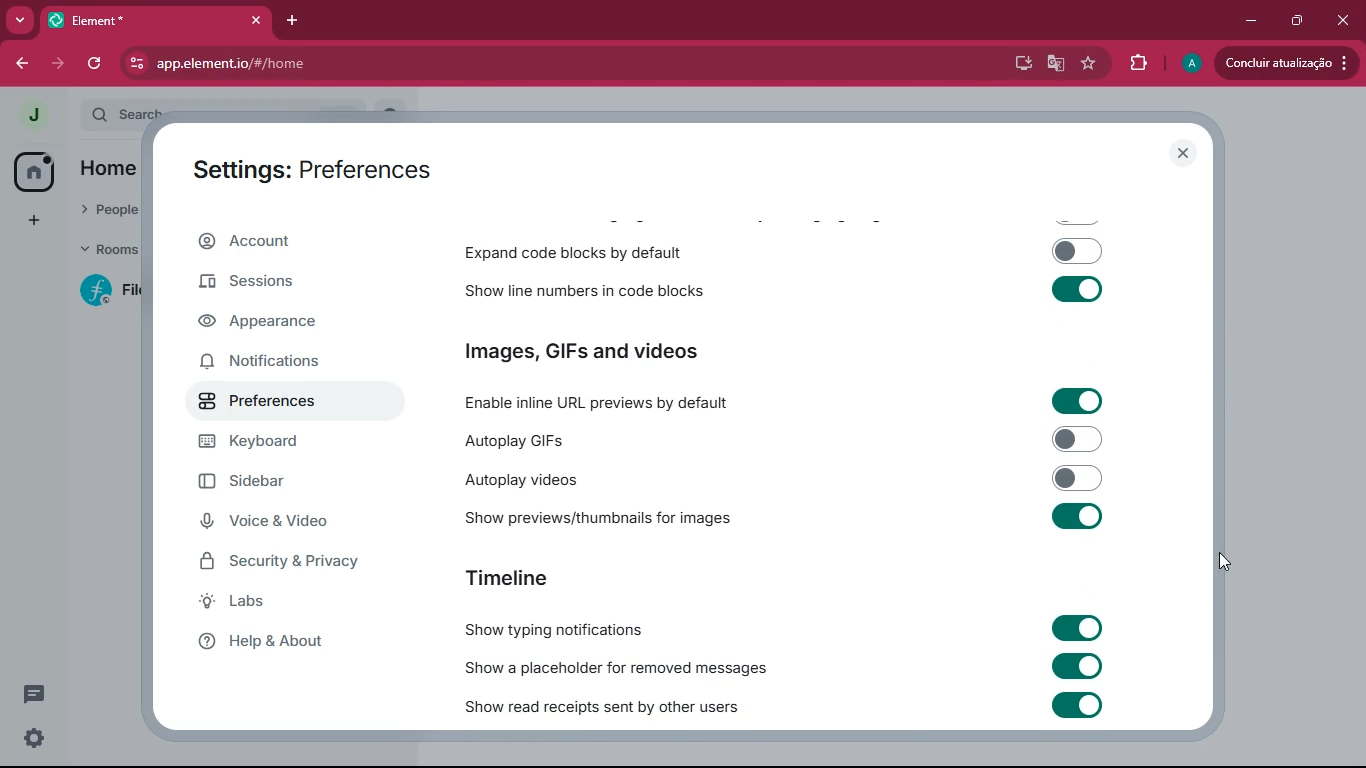 Image resolution: width=1366 pixels, height=768 pixels. I want to click on labs, so click(297, 602).